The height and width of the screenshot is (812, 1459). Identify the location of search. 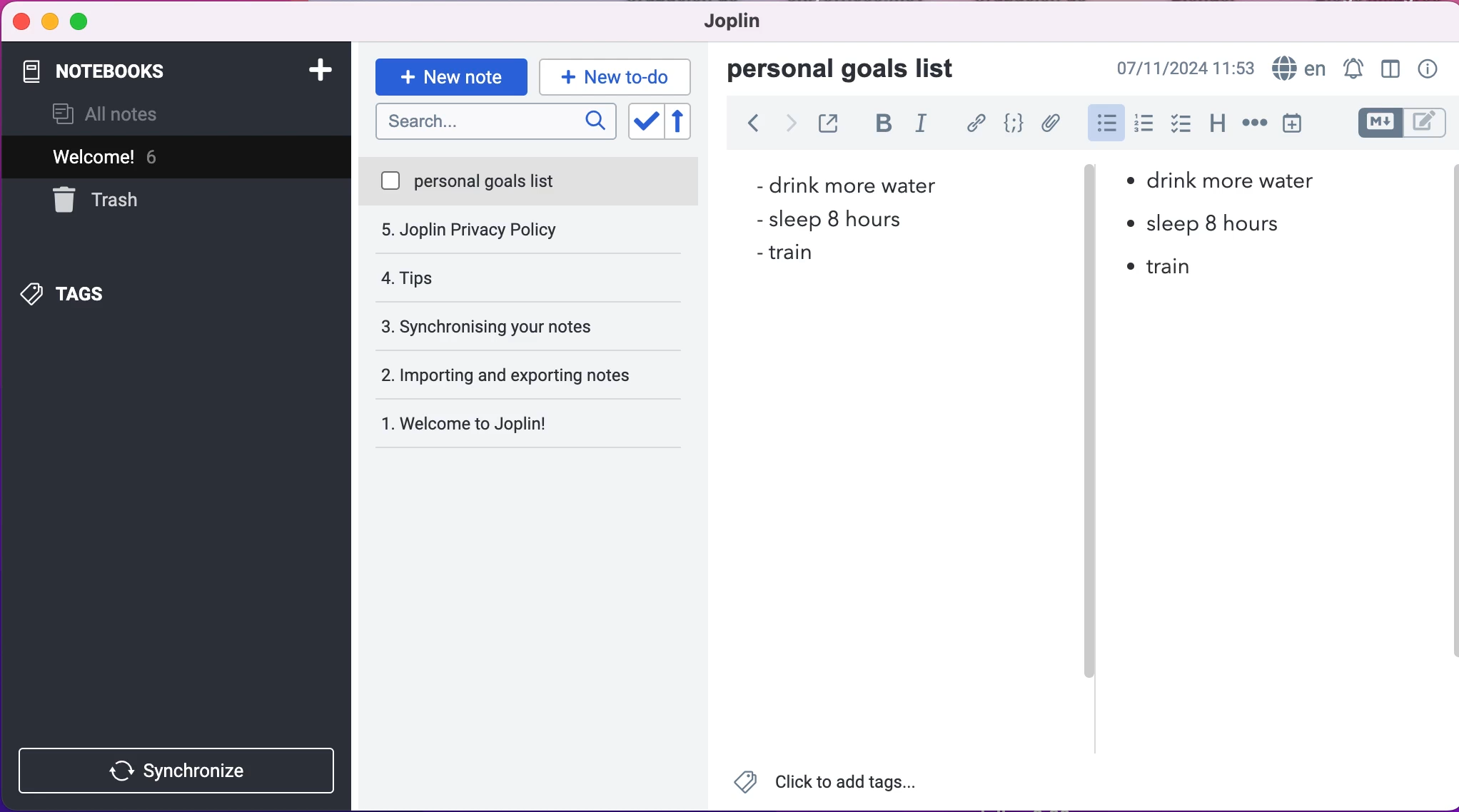
(494, 123).